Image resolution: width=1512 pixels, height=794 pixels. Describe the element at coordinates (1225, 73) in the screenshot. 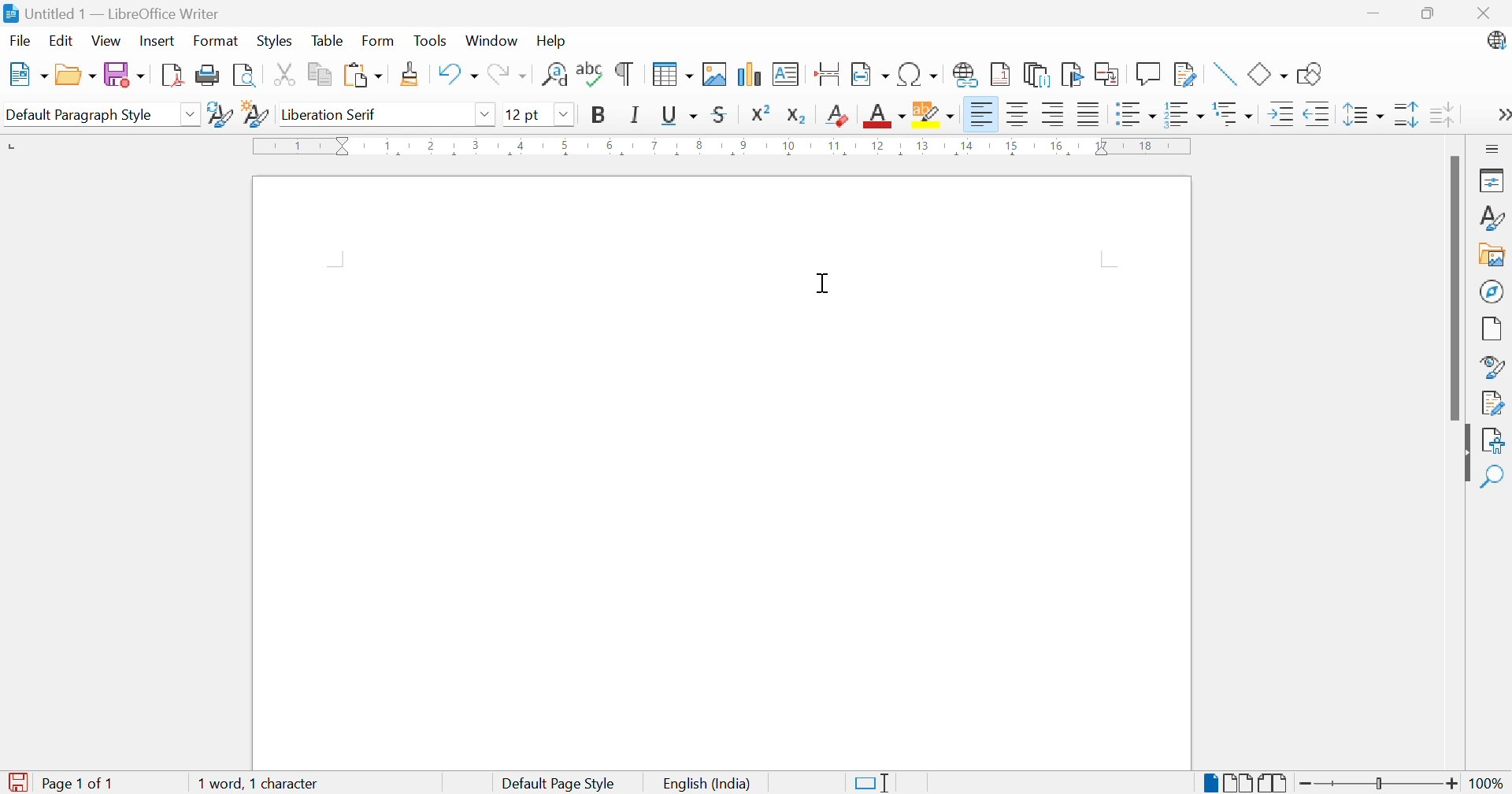

I see `Insert Line` at that location.